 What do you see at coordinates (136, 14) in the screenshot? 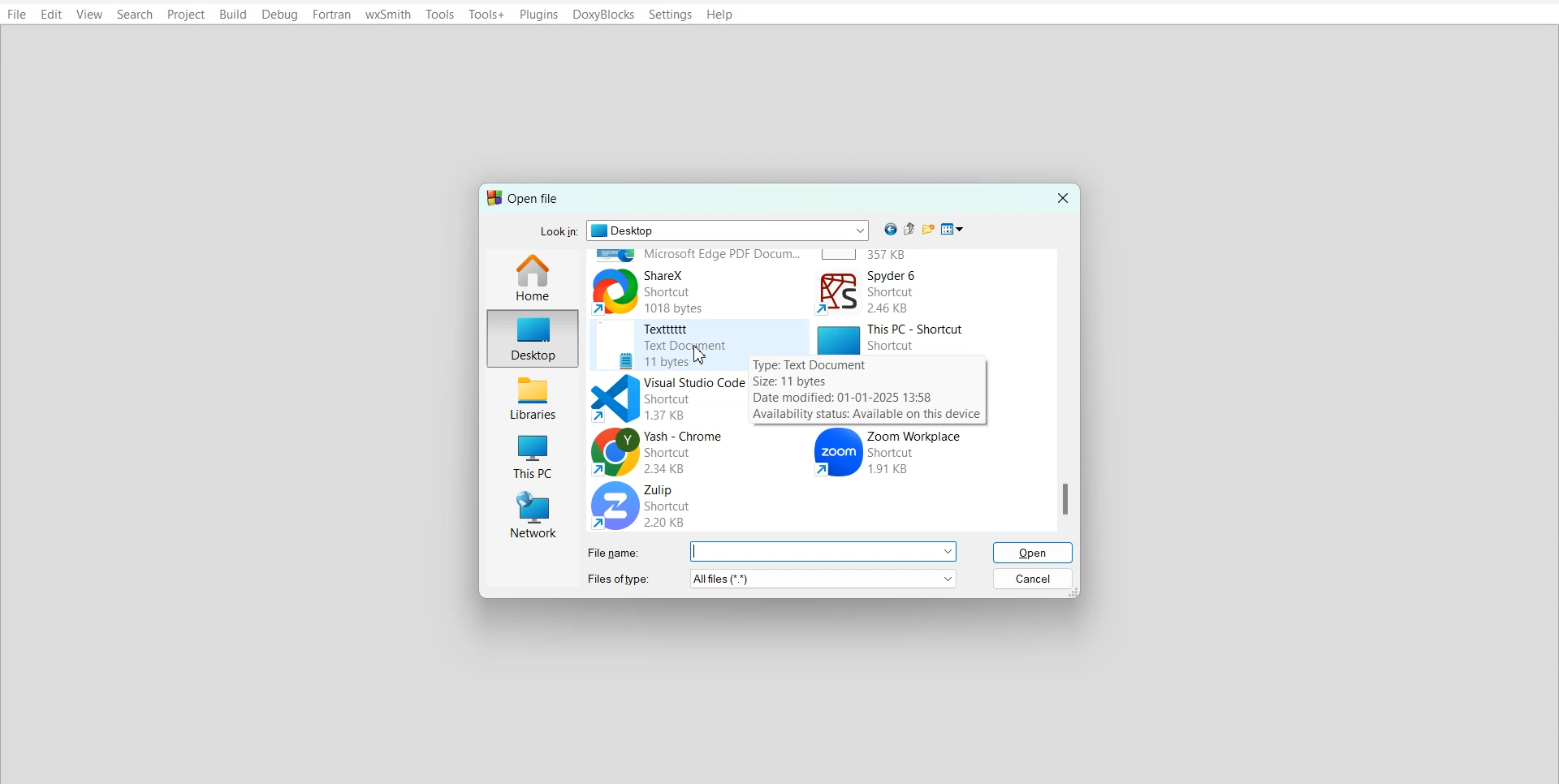
I see `Search` at bounding box center [136, 14].